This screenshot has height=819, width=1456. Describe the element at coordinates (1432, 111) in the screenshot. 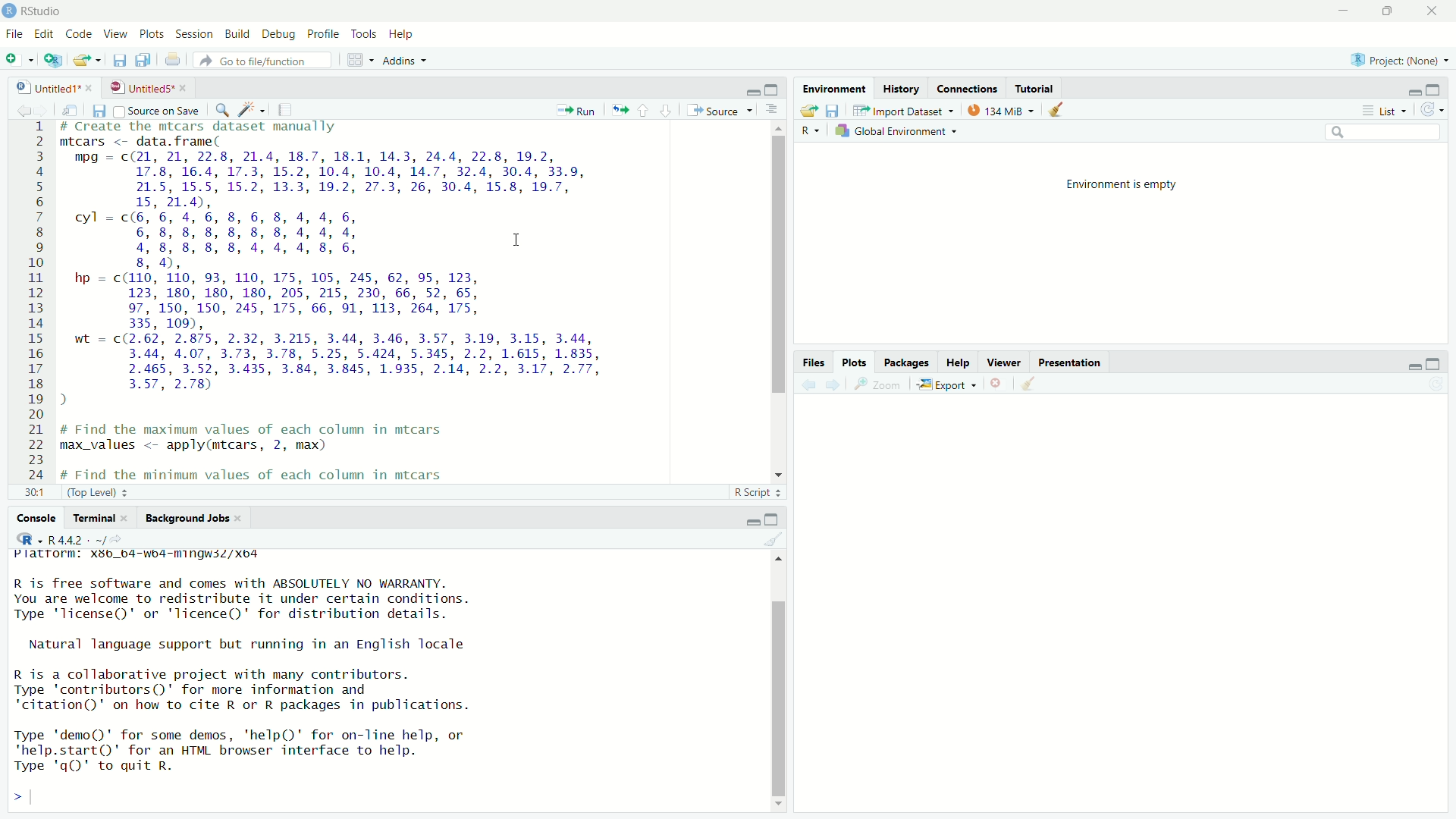

I see `refresh` at that location.